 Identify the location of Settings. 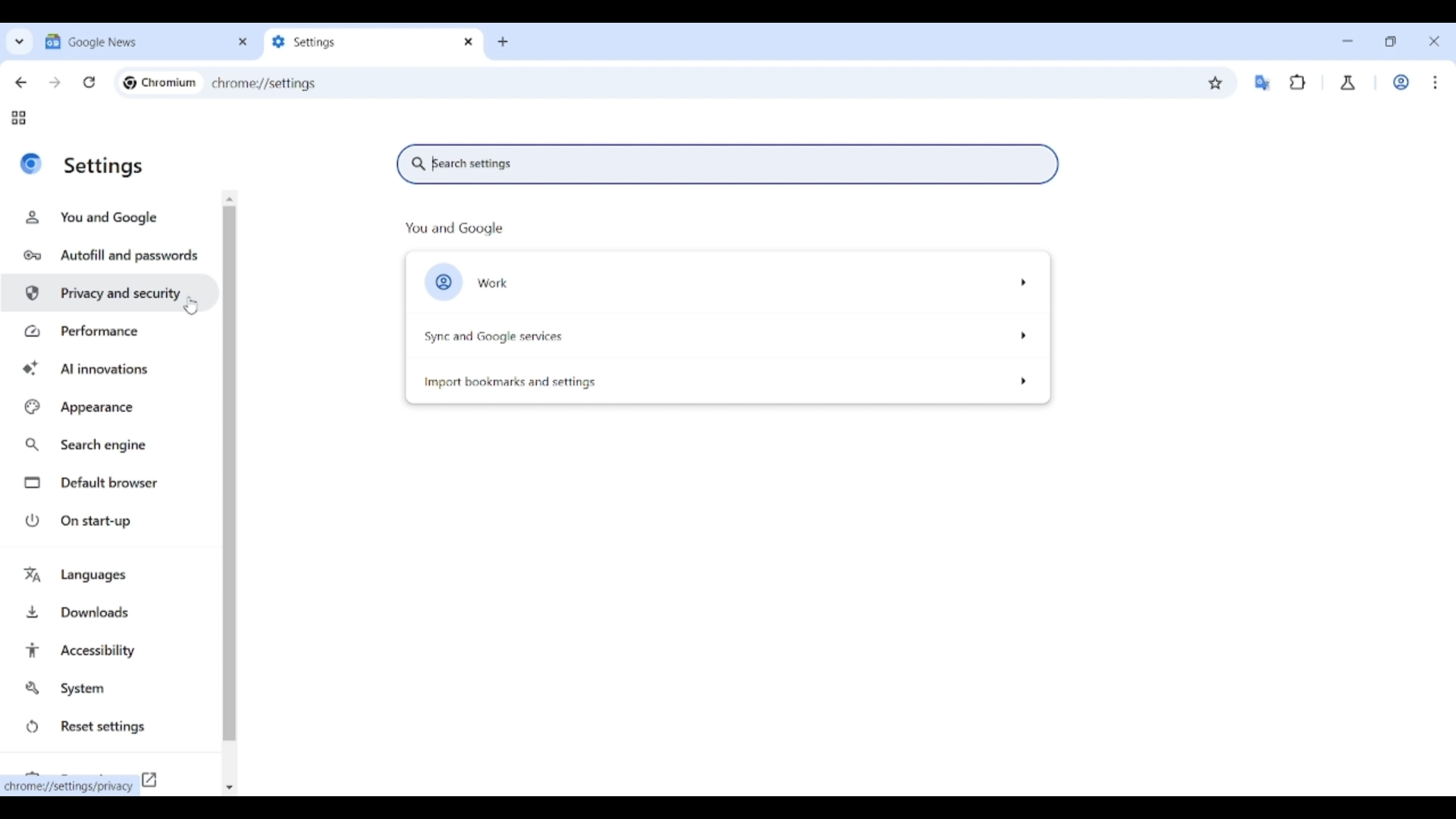
(105, 166).